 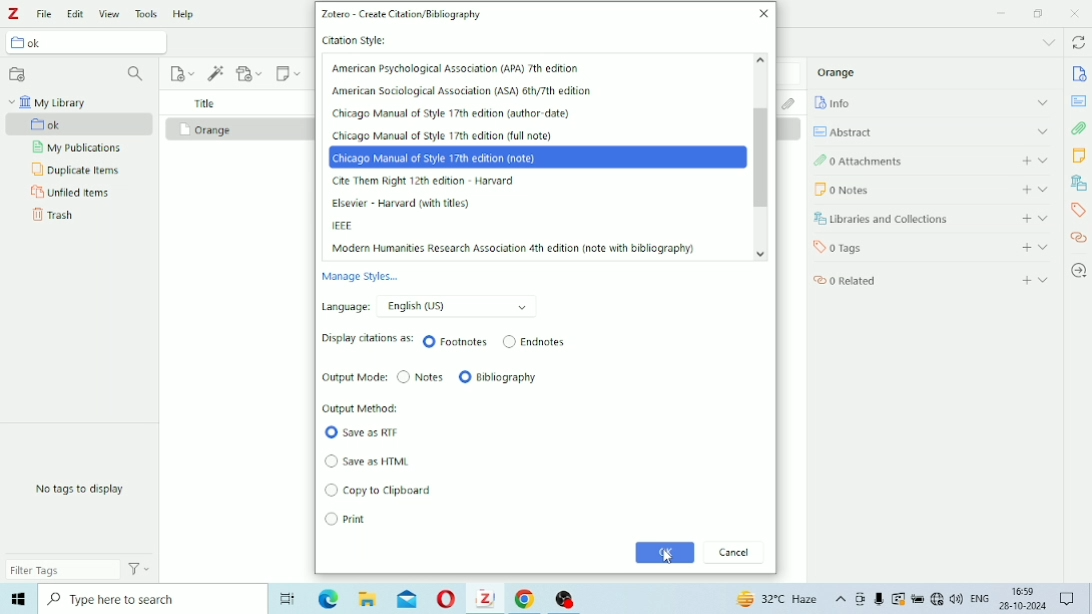 What do you see at coordinates (735, 553) in the screenshot?
I see `Cancel` at bounding box center [735, 553].